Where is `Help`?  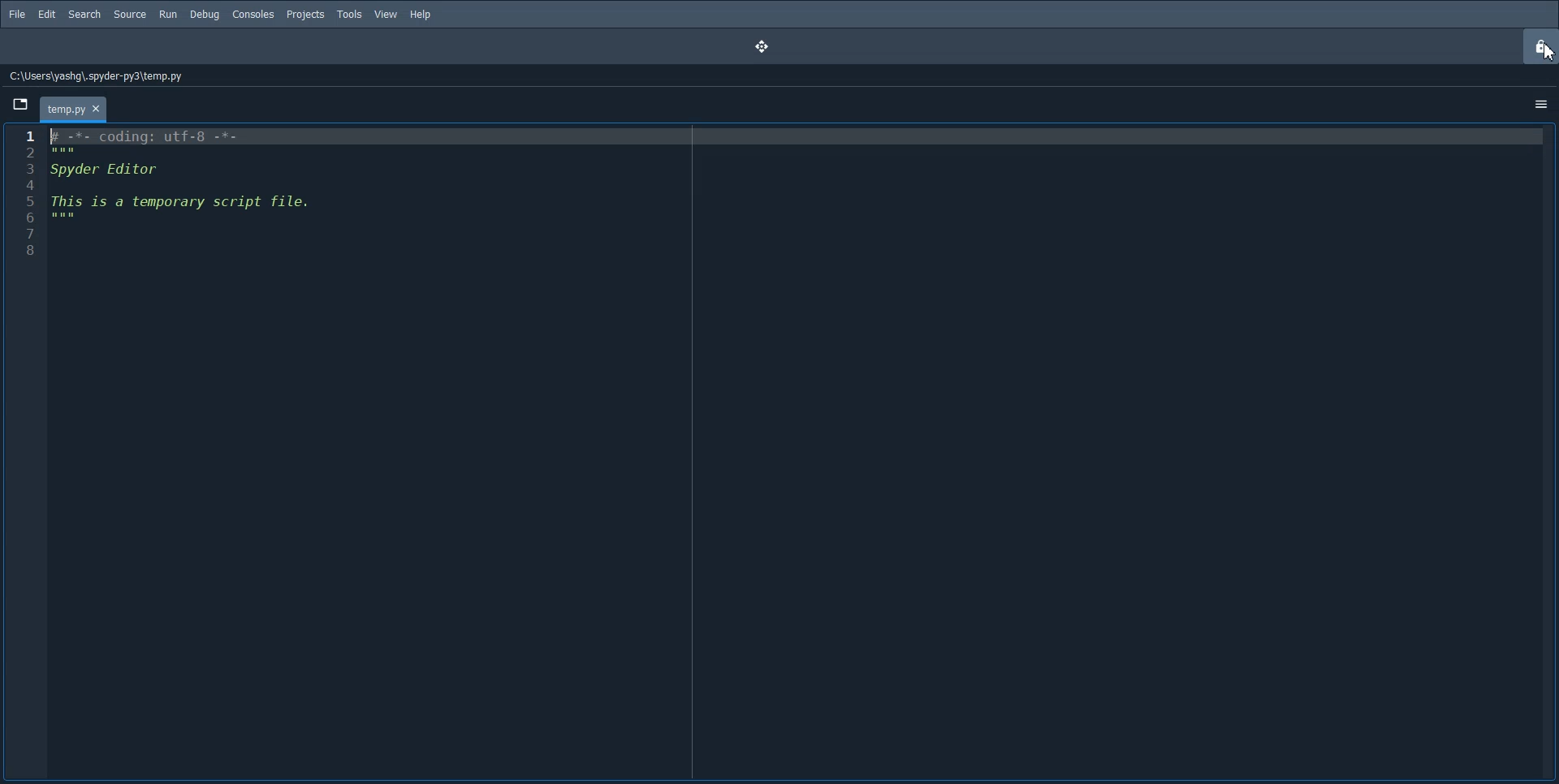 Help is located at coordinates (421, 15).